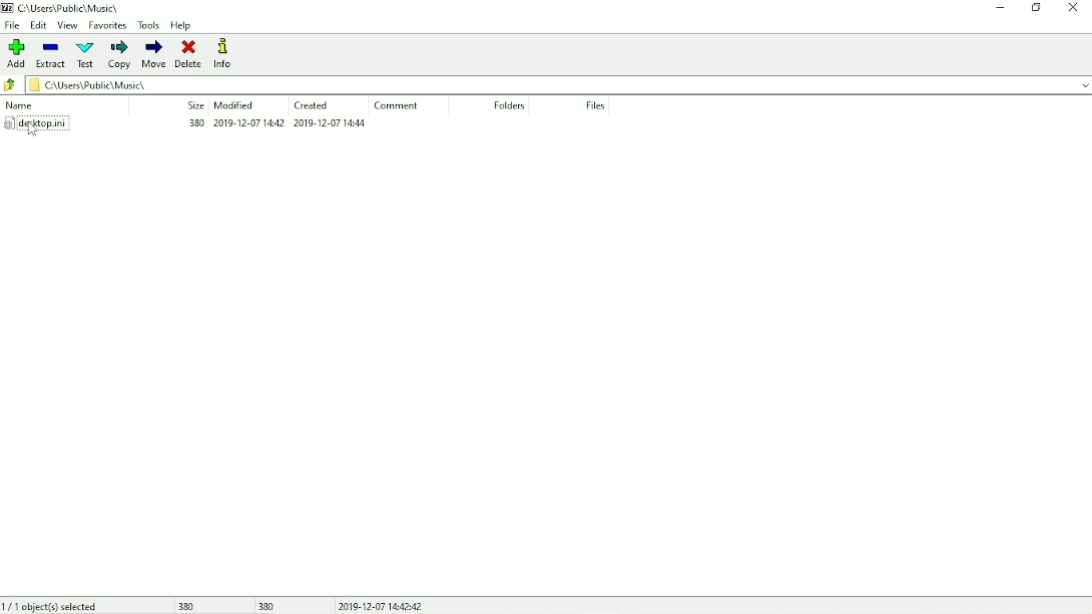 This screenshot has width=1092, height=614. Describe the element at coordinates (1001, 8) in the screenshot. I see `Minimize` at that location.